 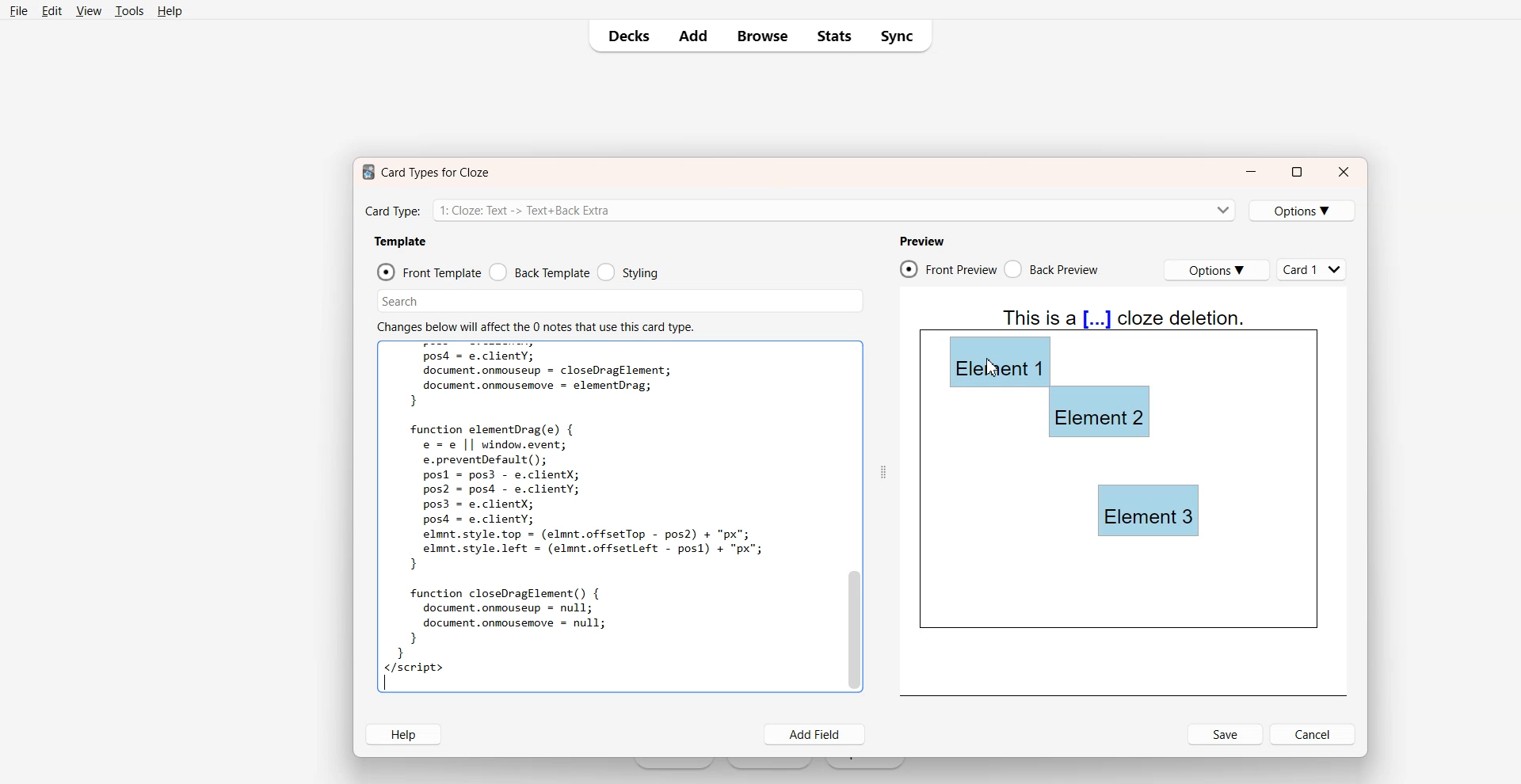 I want to click on Close, so click(x=1344, y=172).